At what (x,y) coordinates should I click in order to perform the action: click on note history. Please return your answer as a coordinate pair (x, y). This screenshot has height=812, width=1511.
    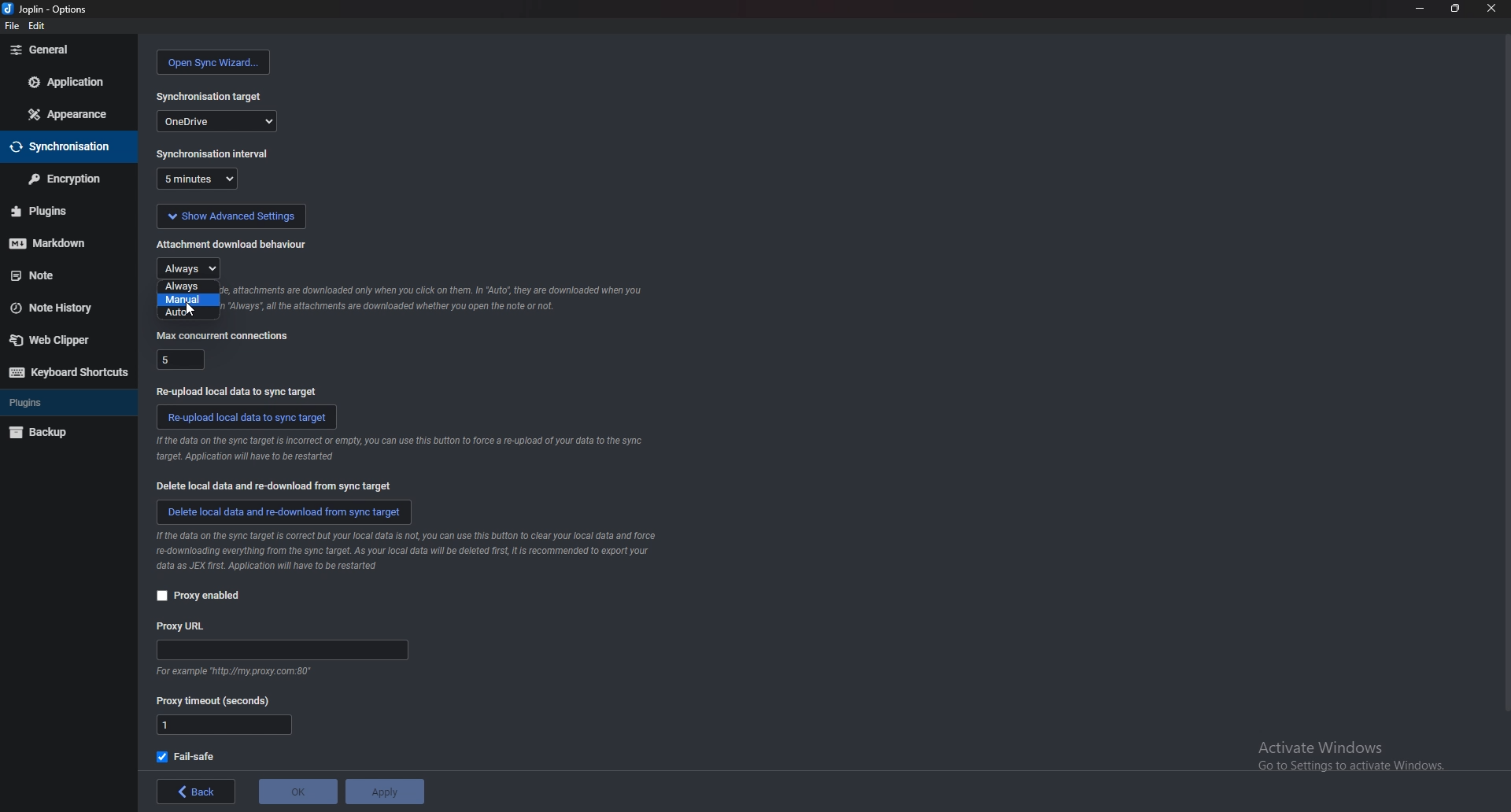
    Looking at the image, I should click on (57, 309).